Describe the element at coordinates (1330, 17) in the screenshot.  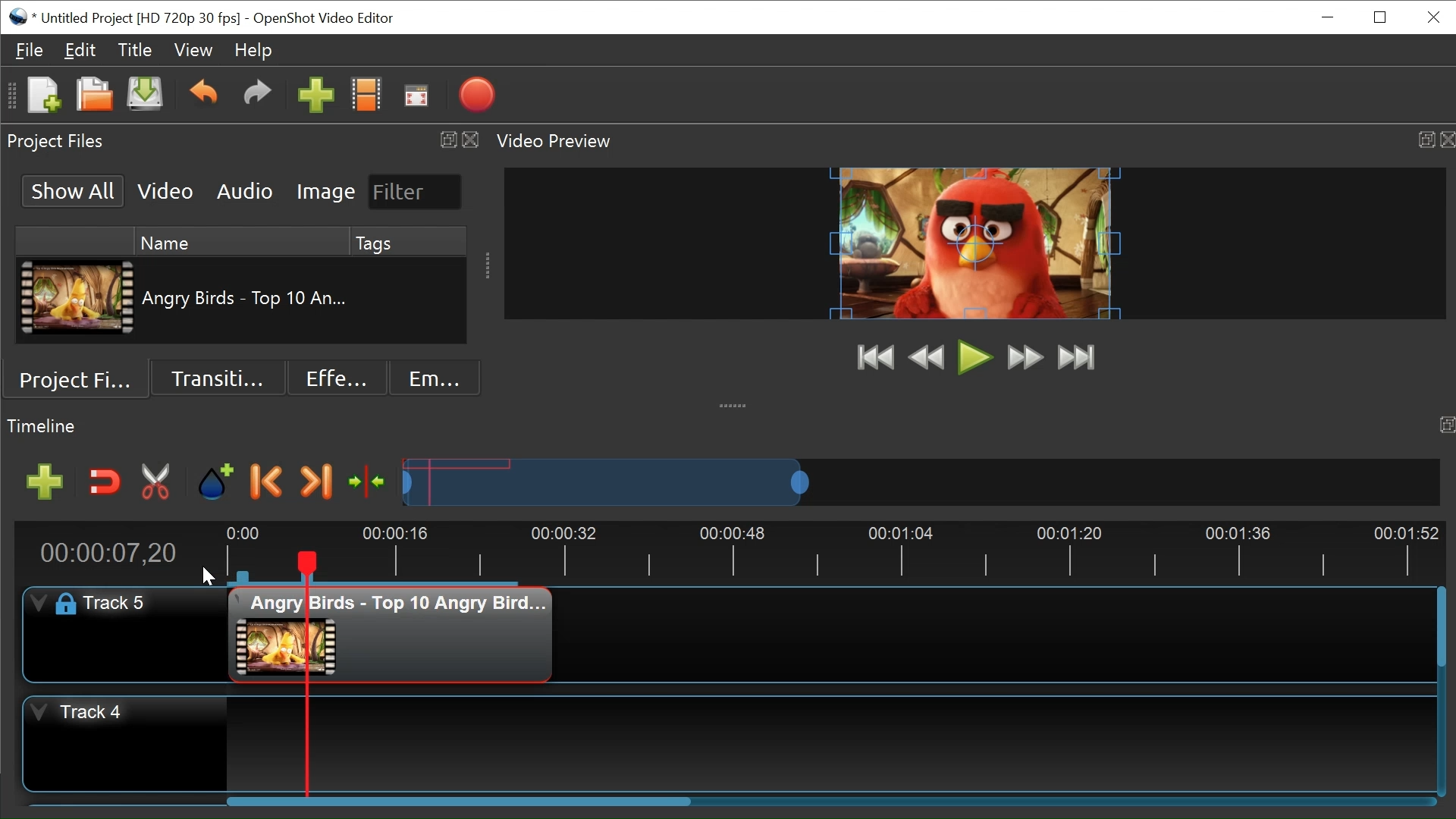
I see `minimize` at that location.